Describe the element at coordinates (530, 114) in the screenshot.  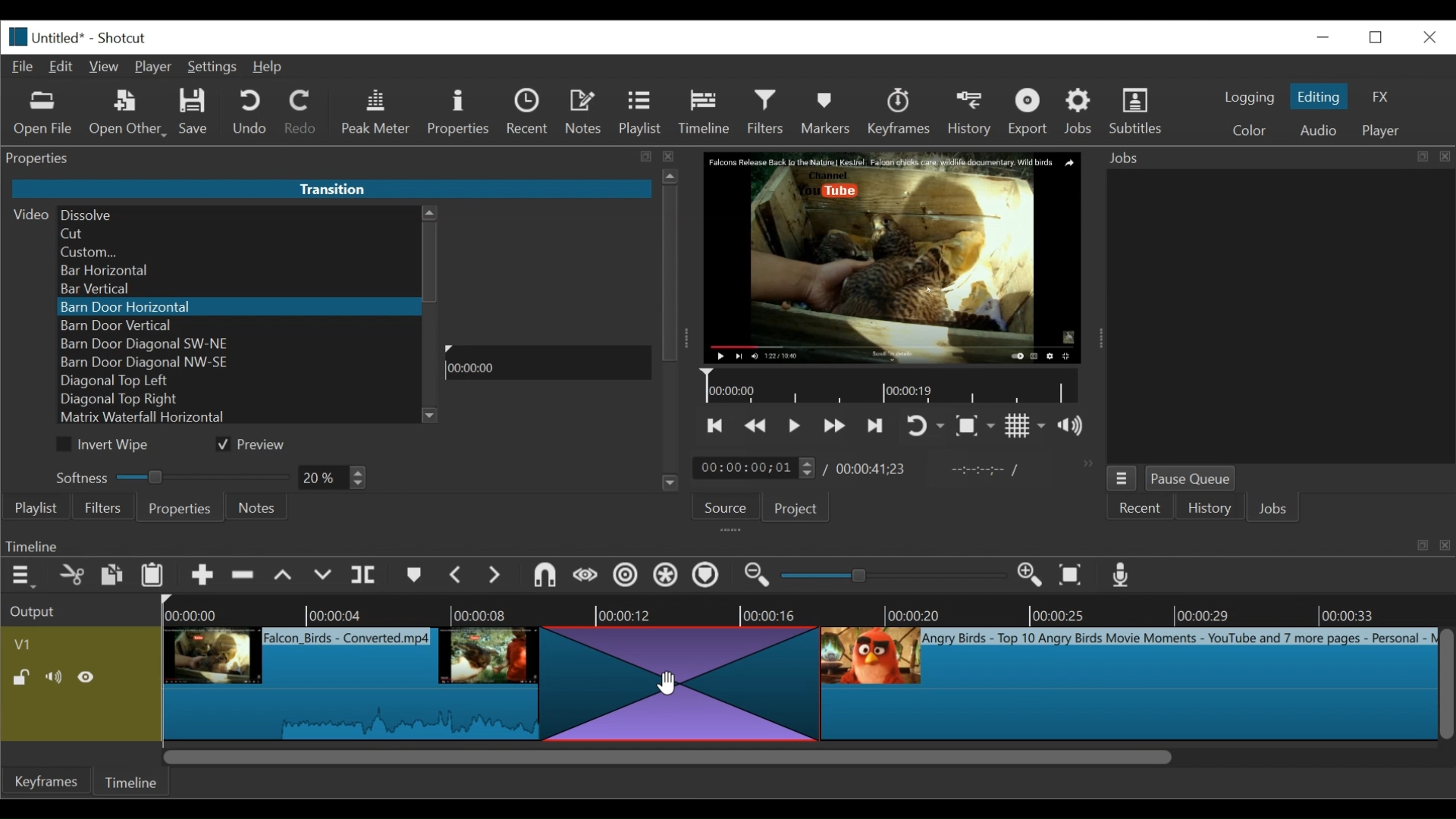
I see `Recent` at that location.